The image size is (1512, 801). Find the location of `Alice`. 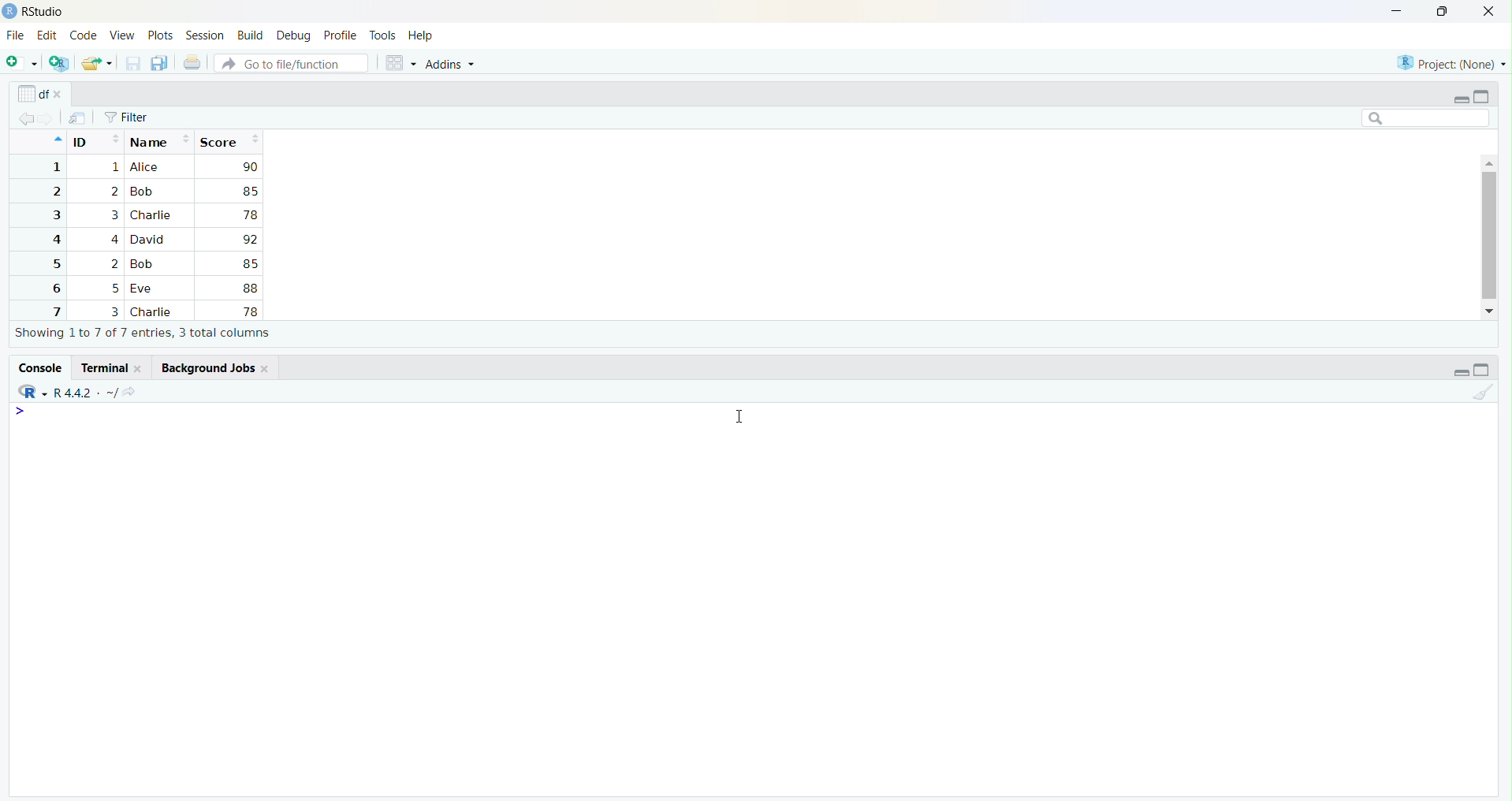

Alice is located at coordinates (147, 167).